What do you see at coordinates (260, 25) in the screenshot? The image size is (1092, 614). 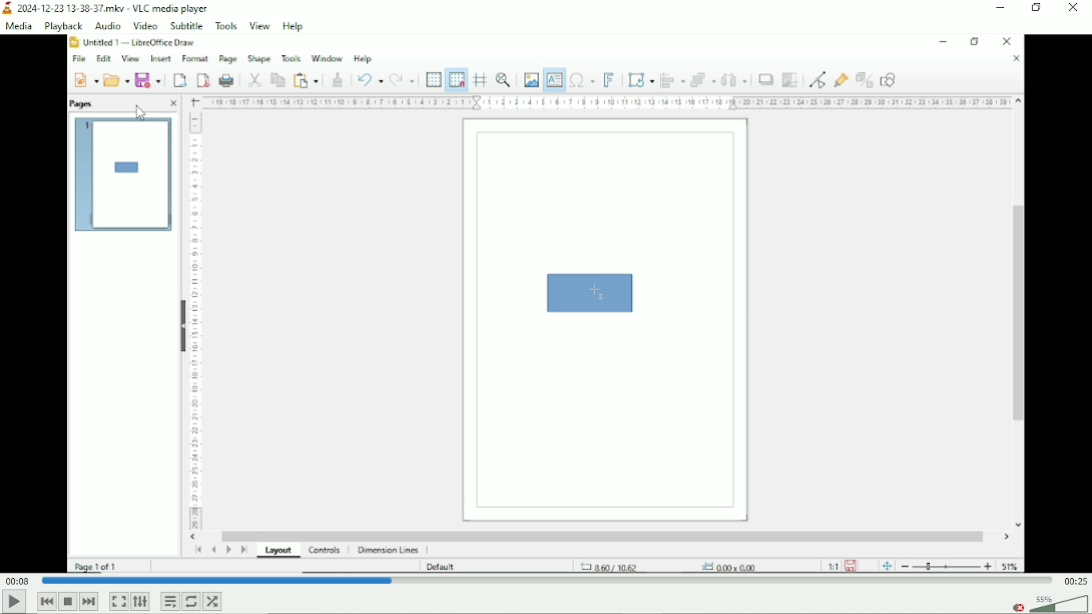 I see `View` at bounding box center [260, 25].